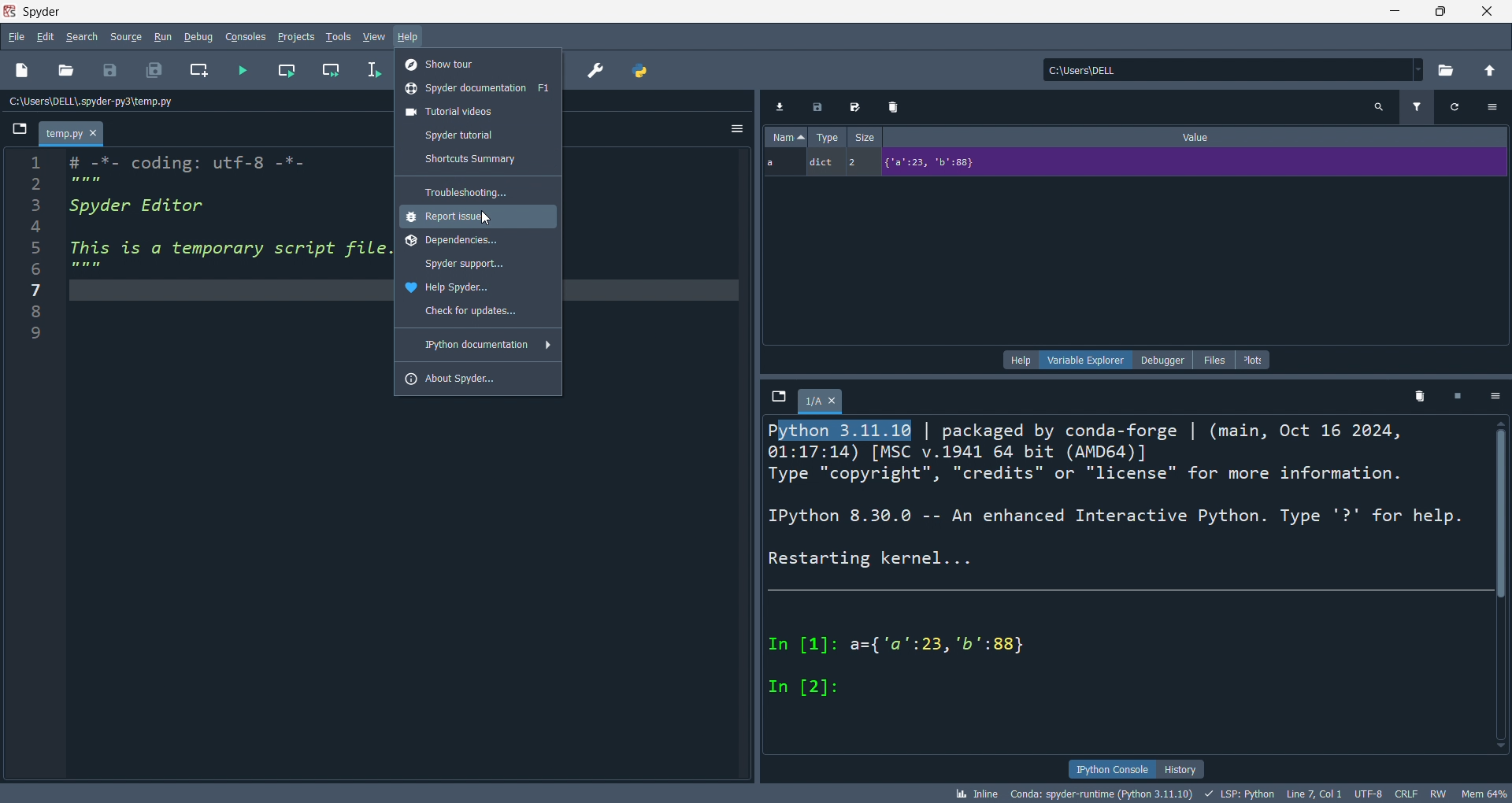  What do you see at coordinates (478, 65) in the screenshot?
I see `show tour` at bounding box center [478, 65].